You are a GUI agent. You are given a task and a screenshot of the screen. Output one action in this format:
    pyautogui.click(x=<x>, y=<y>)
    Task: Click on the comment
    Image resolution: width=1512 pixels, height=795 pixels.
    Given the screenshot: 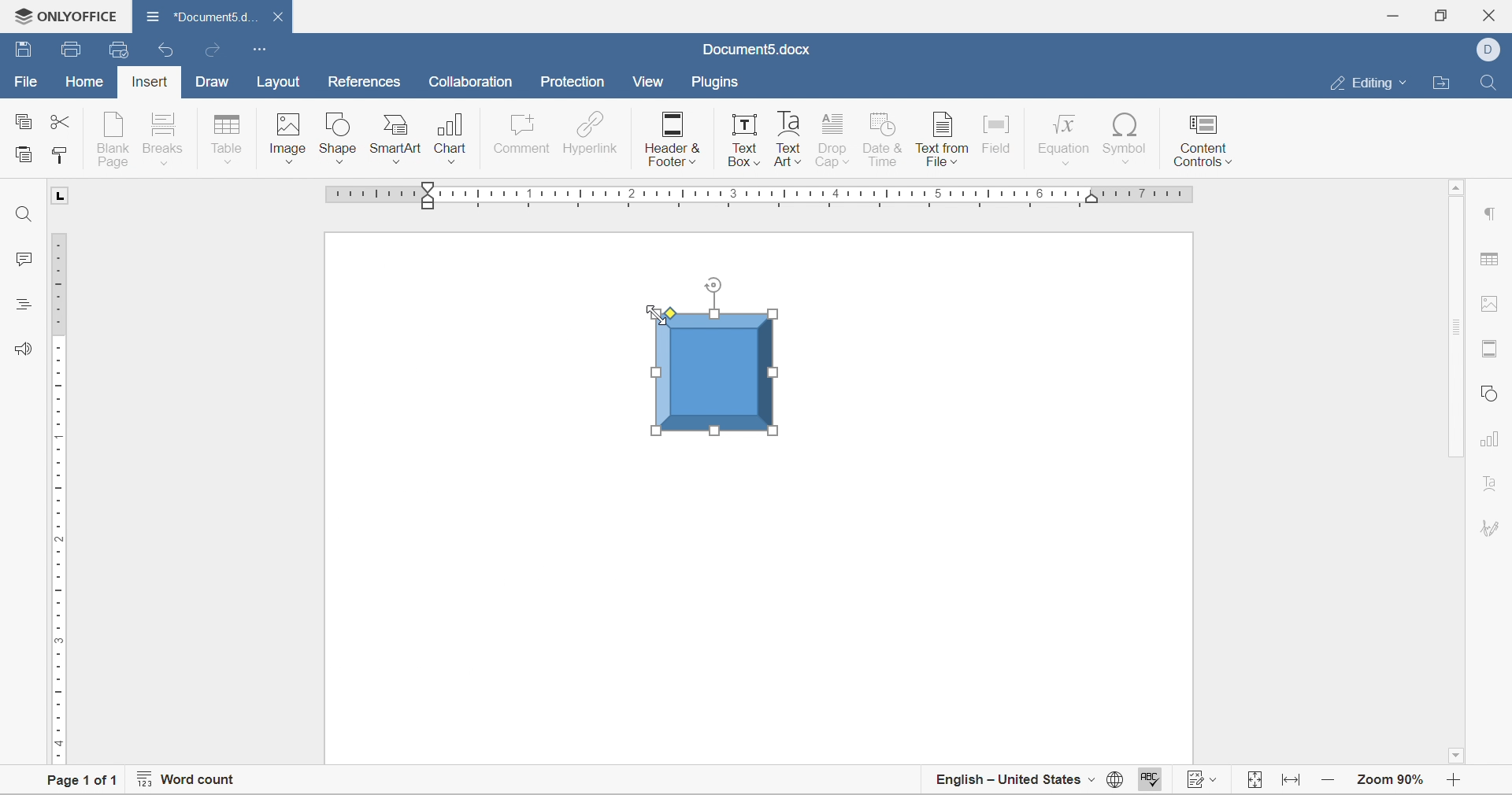 What is the action you would take?
    pyautogui.click(x=523, y=131)
    